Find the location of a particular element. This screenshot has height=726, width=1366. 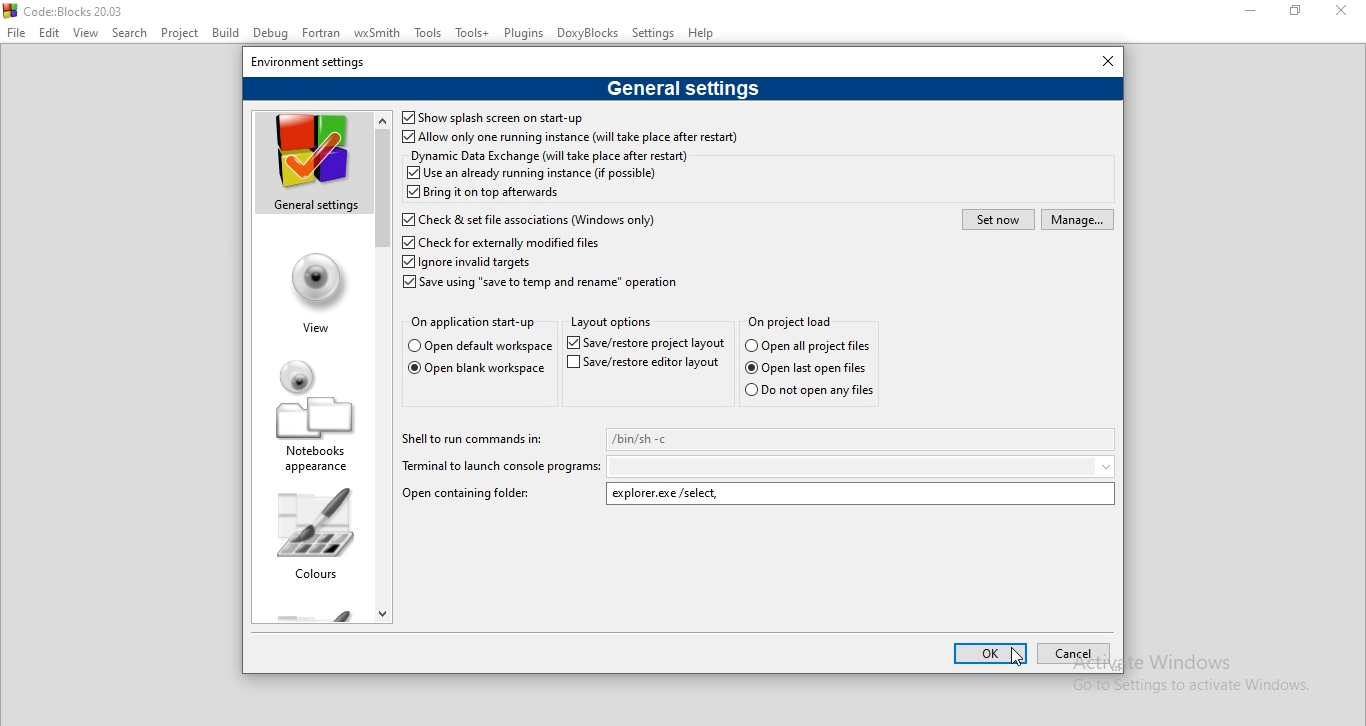

scroll bar is located at coordinates (384, 364).